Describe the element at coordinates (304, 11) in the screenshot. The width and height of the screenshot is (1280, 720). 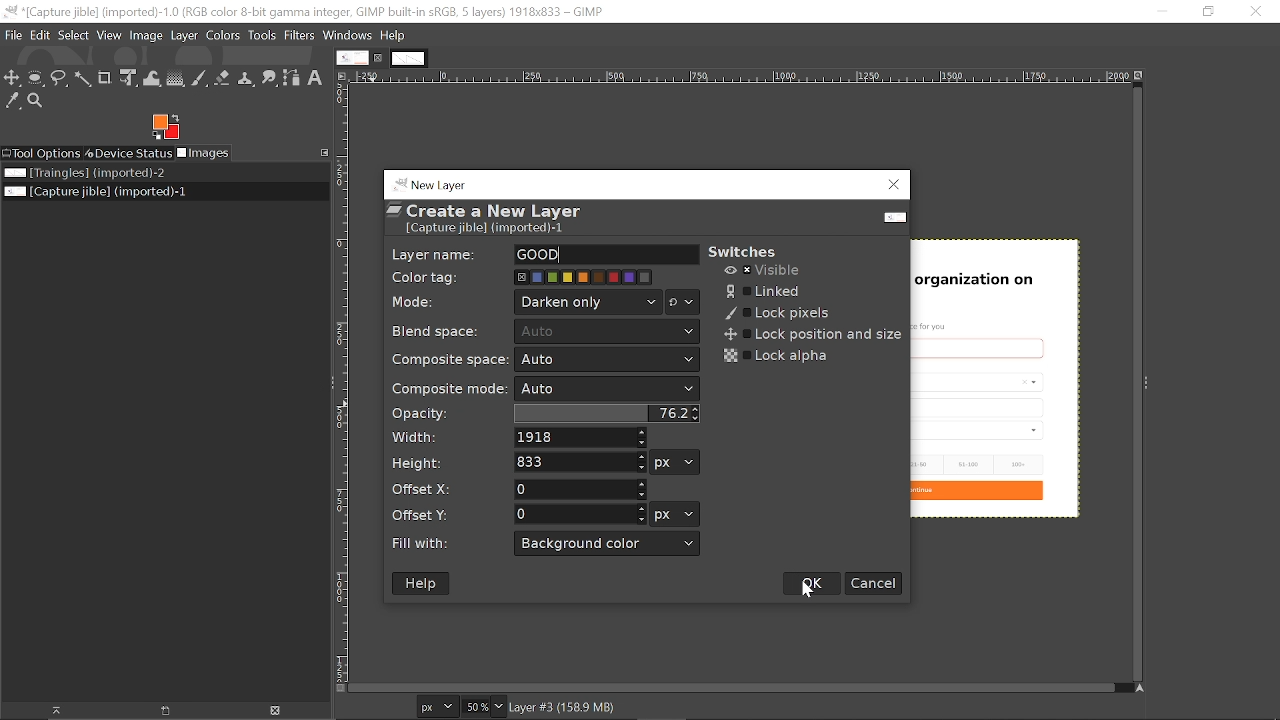
I see `cURRENT WINDOW` at that location.